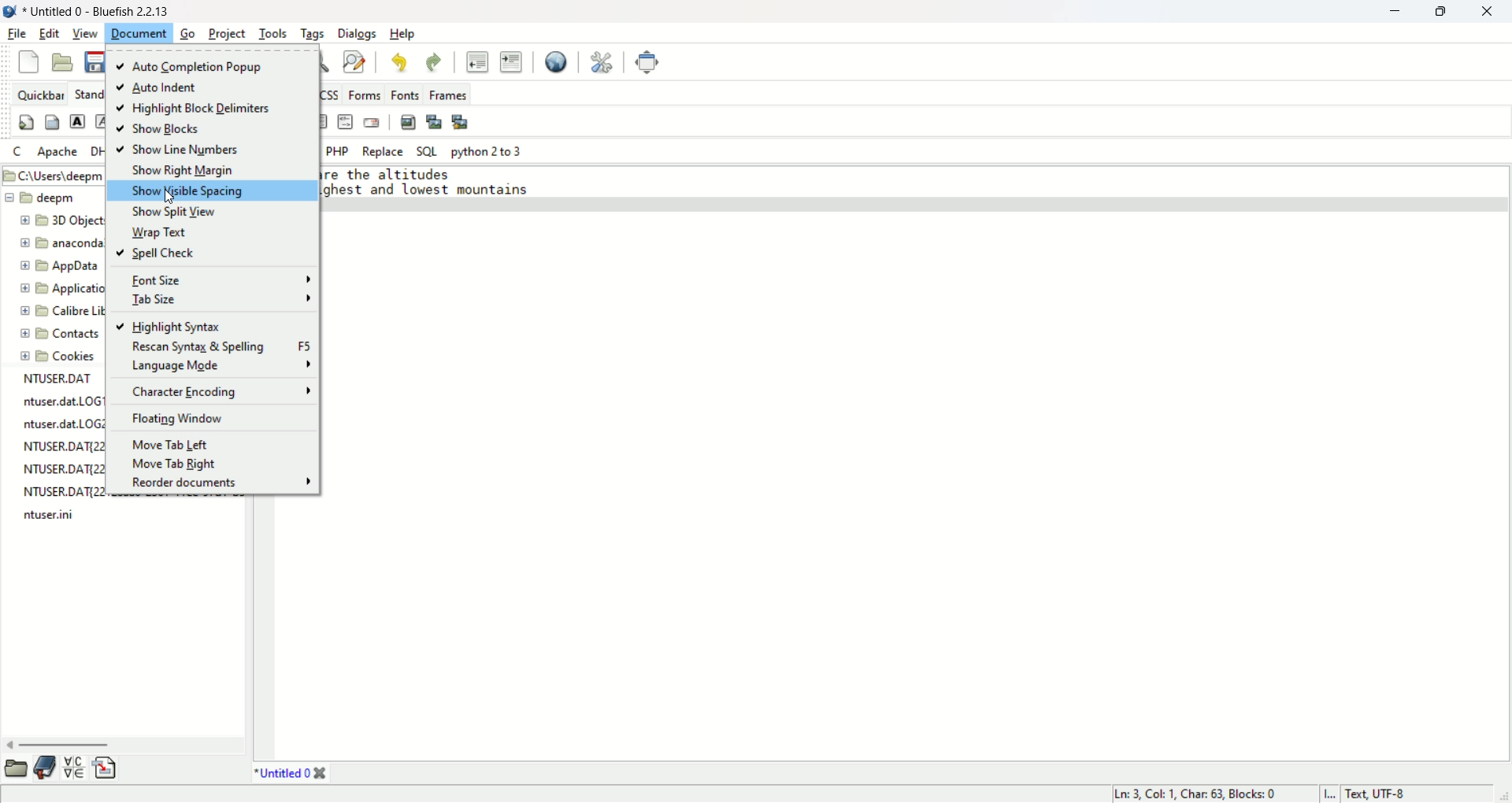 The image size is (1512, 803). What do you see at coordinates (450, 93) in the screenshot?
I see `frames` at bounding box center [450, 93].